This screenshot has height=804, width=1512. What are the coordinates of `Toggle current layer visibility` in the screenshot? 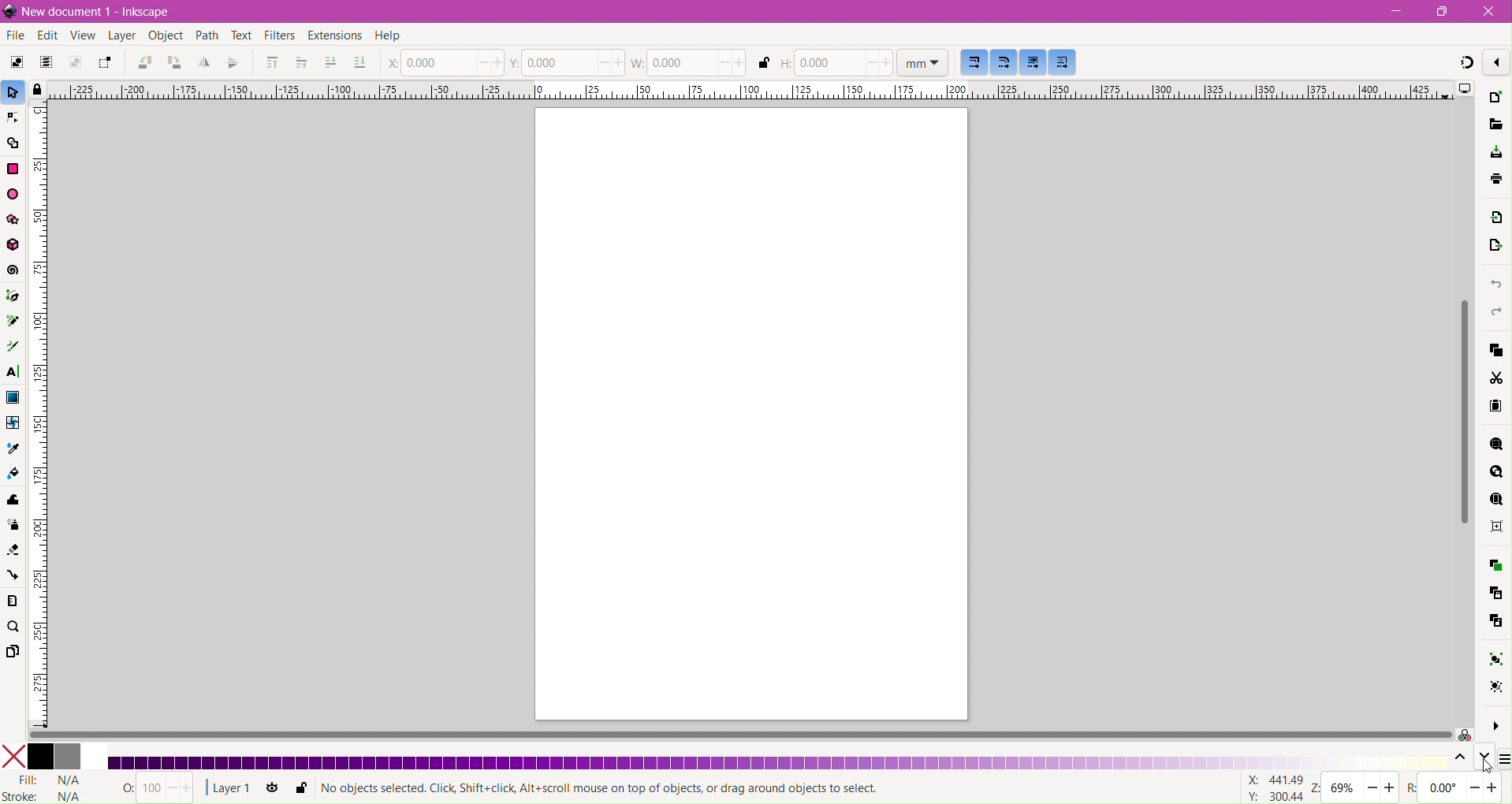 It's located at (273, 791).